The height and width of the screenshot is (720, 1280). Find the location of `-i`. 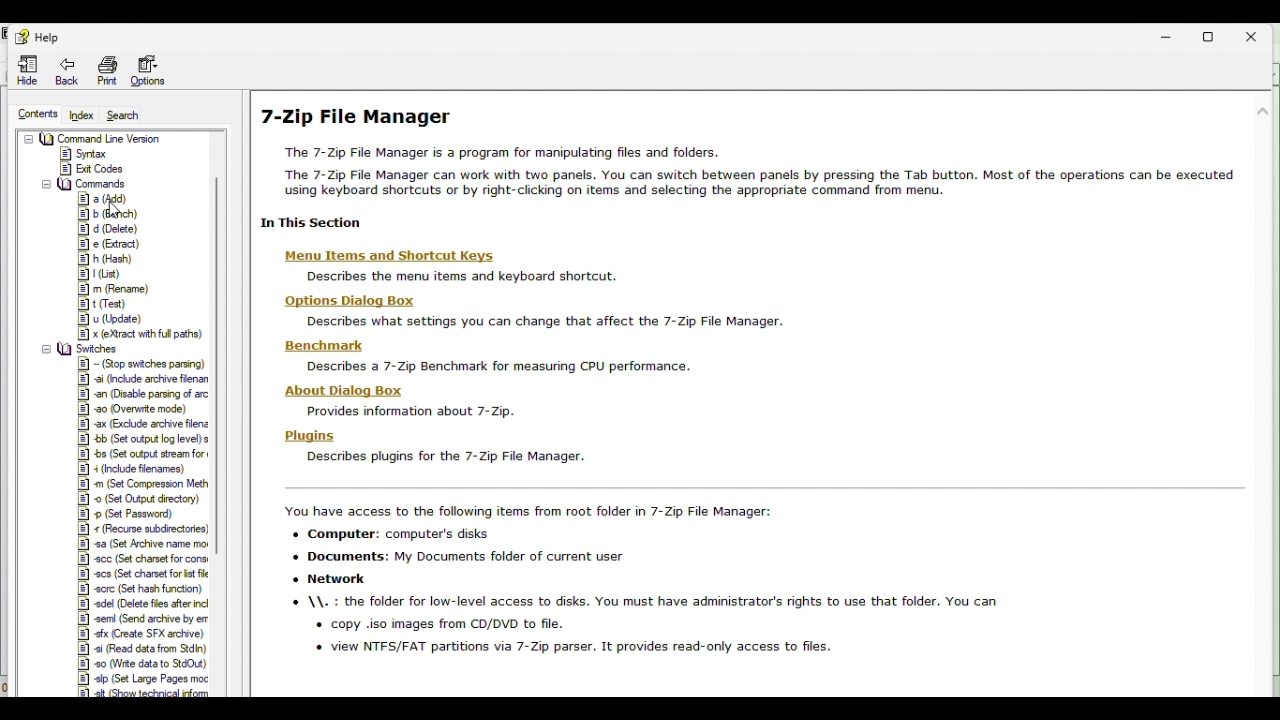

-i is located at coordinates (140, 469).